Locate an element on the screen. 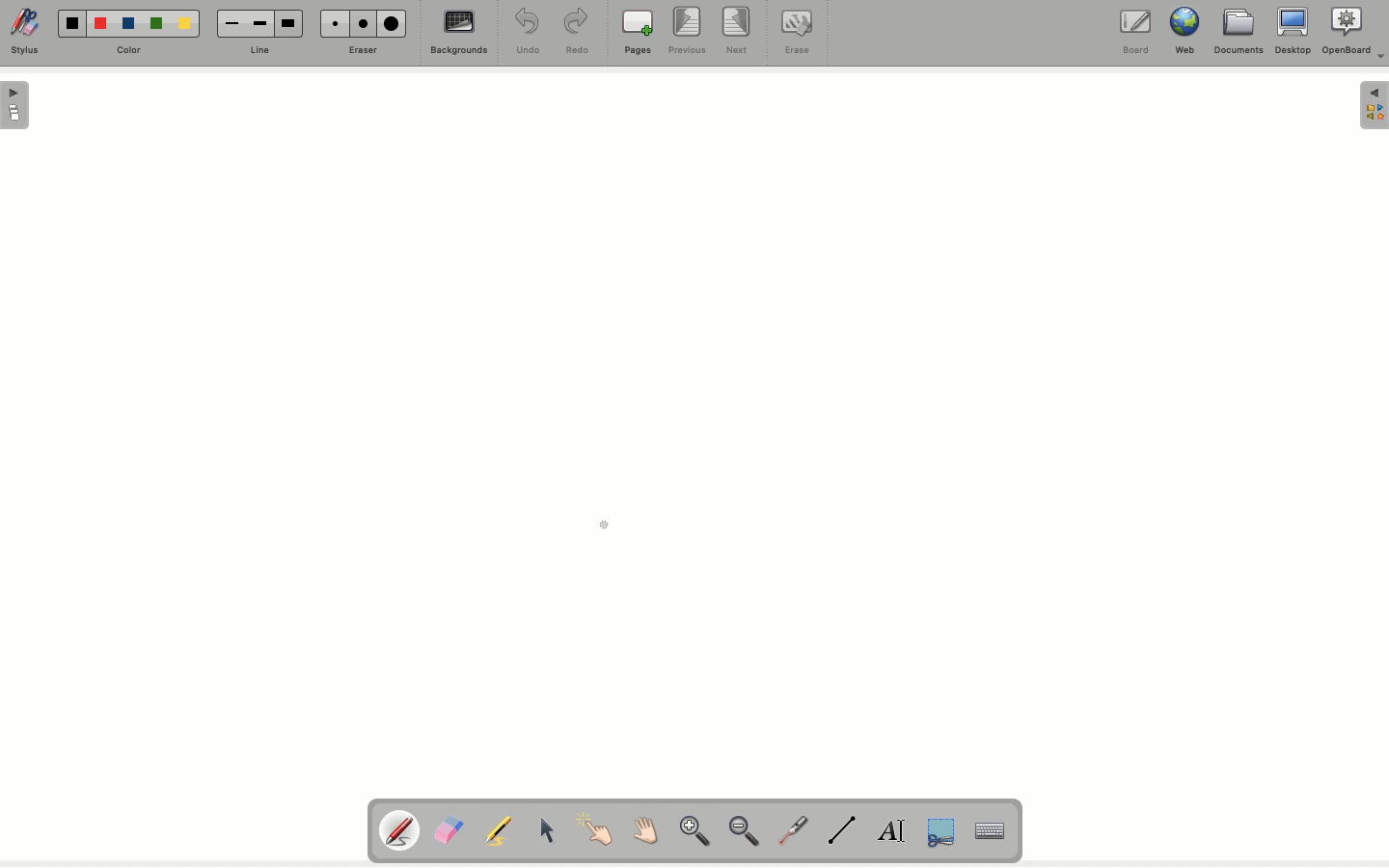 This screenshot has height=868, width=1389. Cursor is located at coordinates (545, 827).